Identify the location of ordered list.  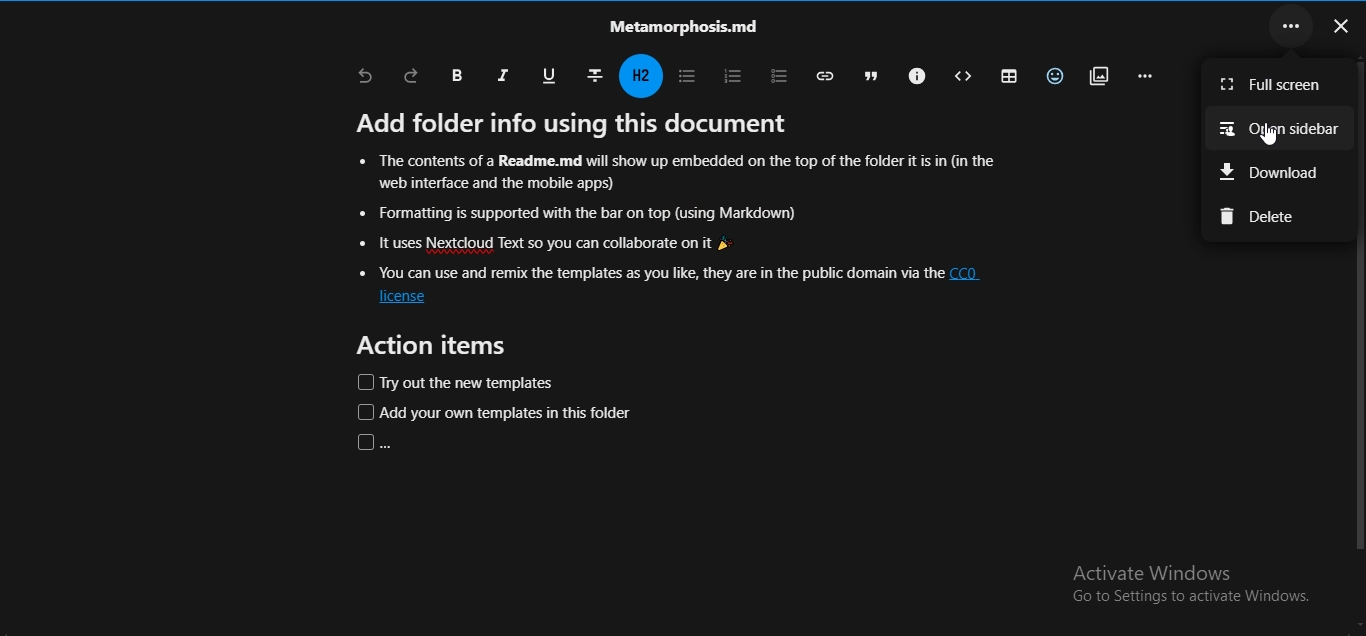
(731, 74).